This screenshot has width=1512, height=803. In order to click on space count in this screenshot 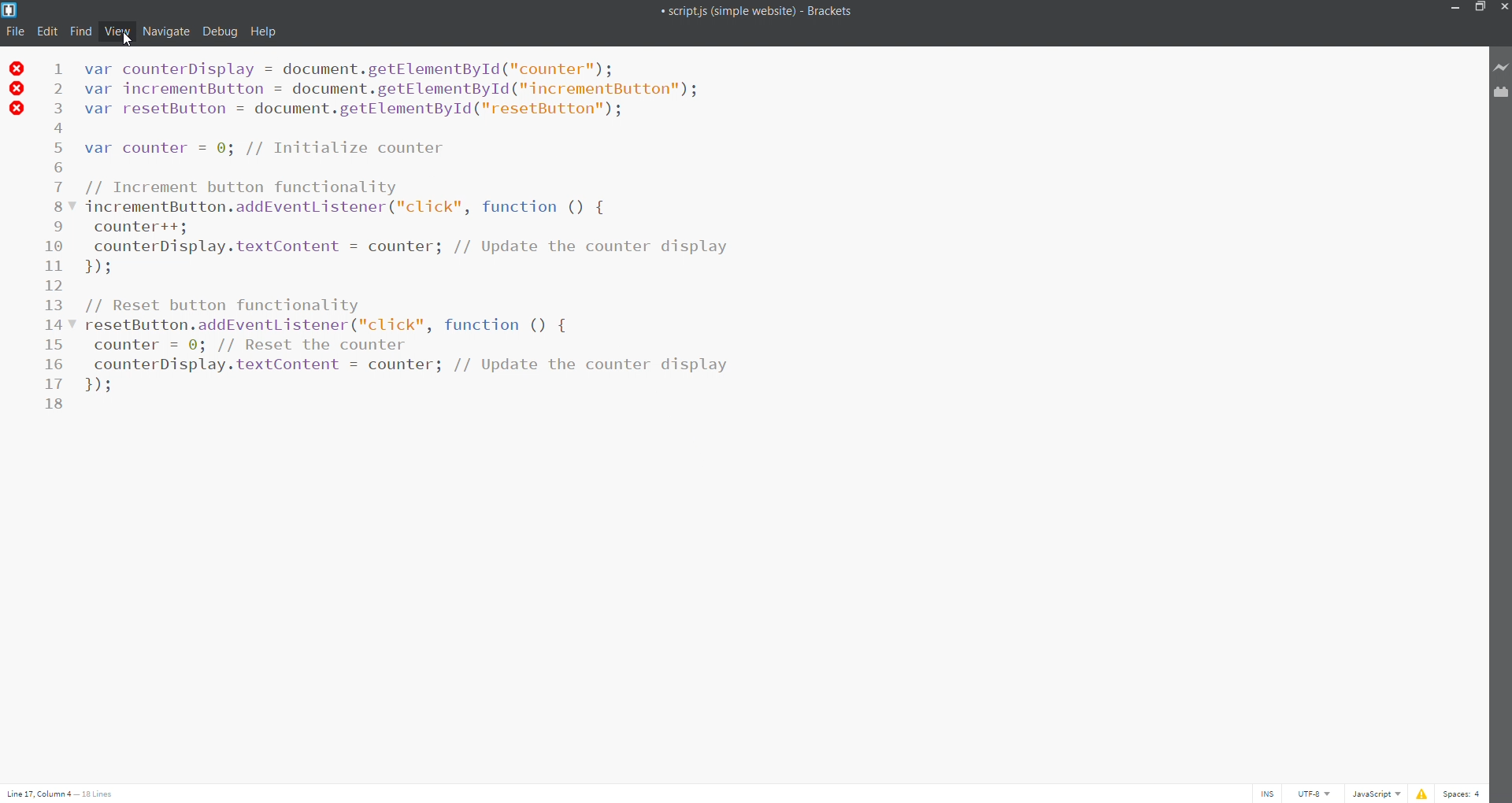, I will do `click(1464, 794)`.